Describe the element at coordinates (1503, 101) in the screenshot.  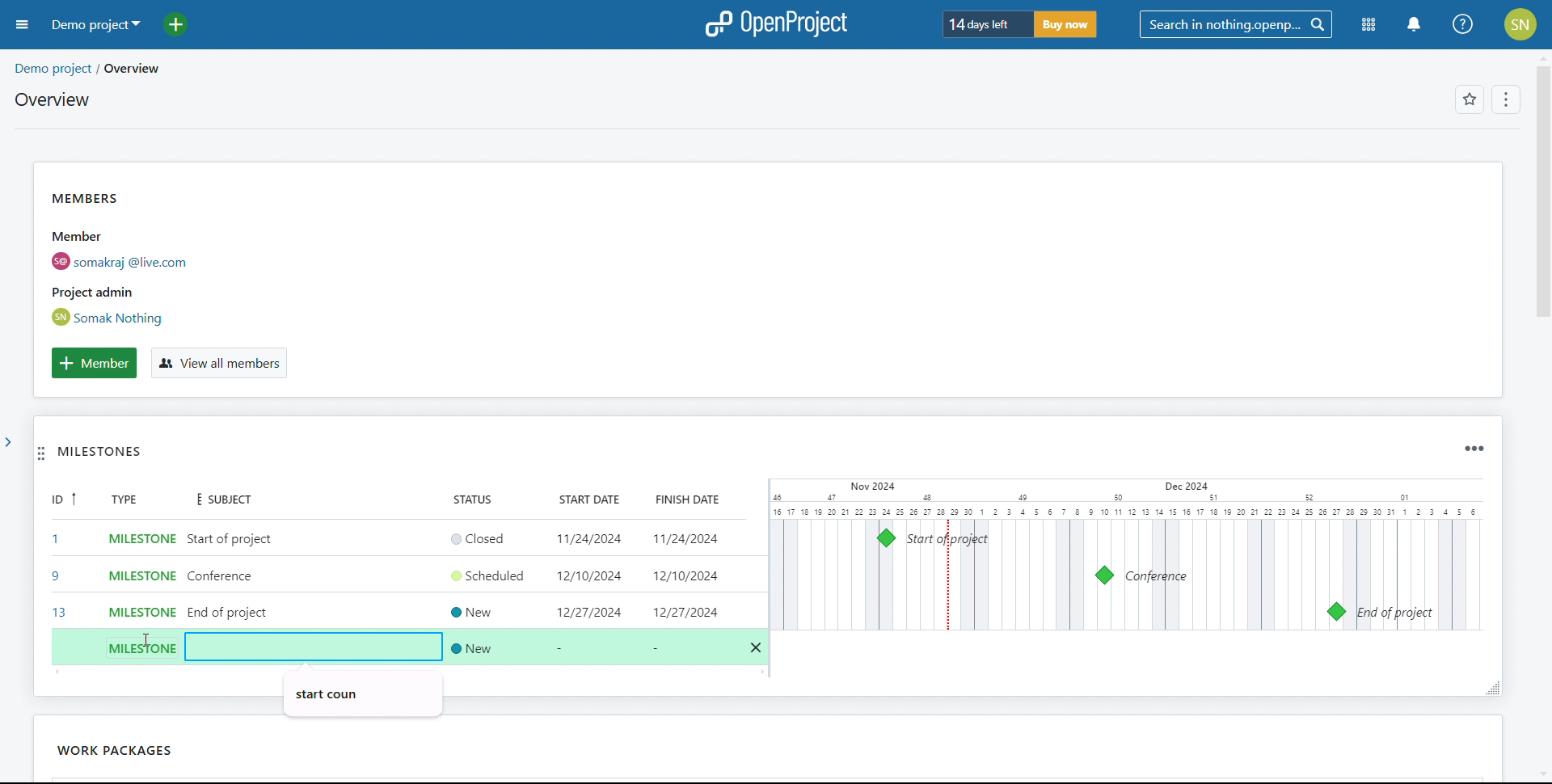
I see `options` at that location.